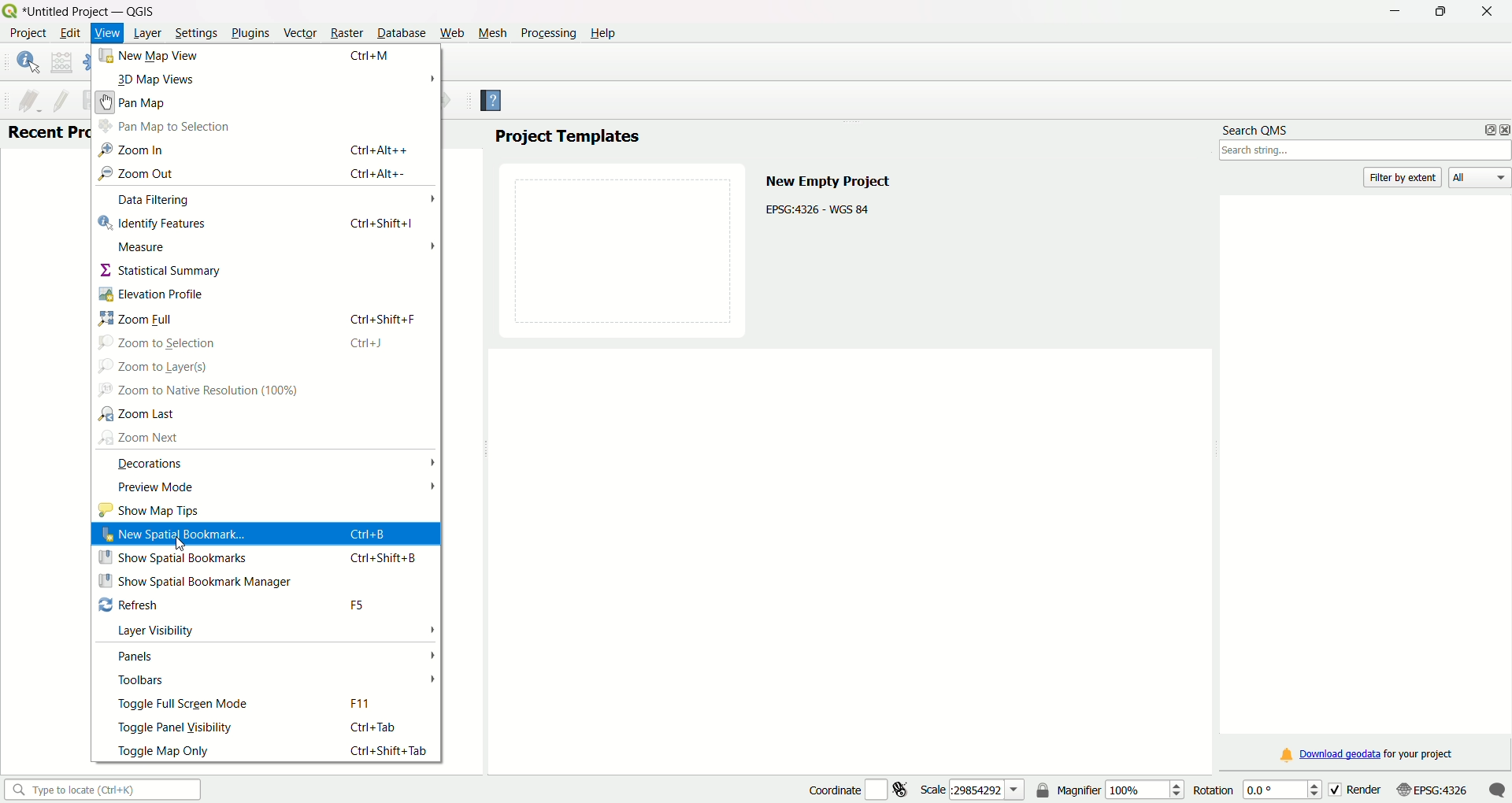 The image size is (1512, 803). What do you see at coordinates (140, 318) in the screenshot?
I see `zoom full` at bounding box center [140, 318].